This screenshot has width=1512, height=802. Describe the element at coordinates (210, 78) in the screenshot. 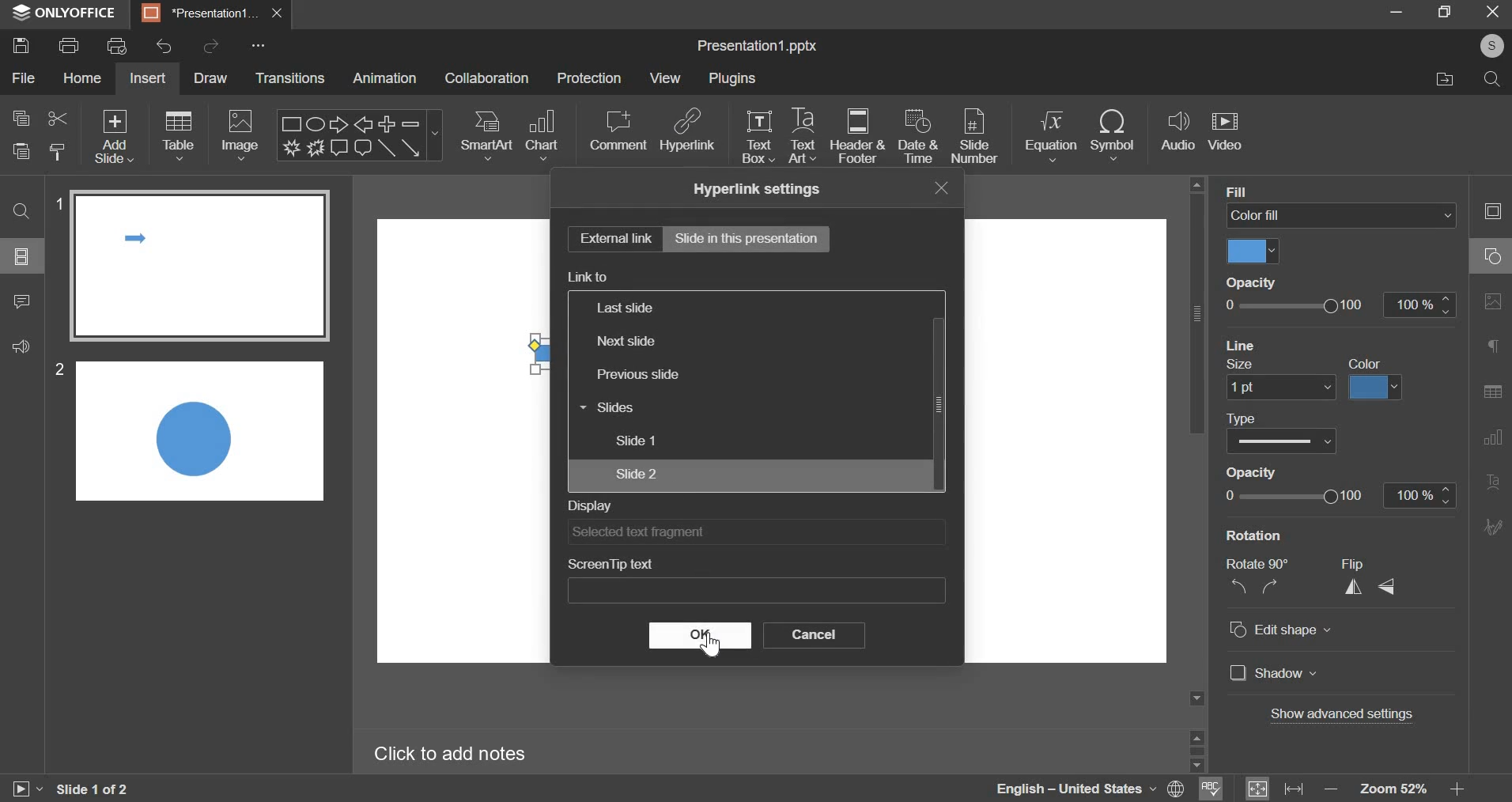

I see `draw` at that location.